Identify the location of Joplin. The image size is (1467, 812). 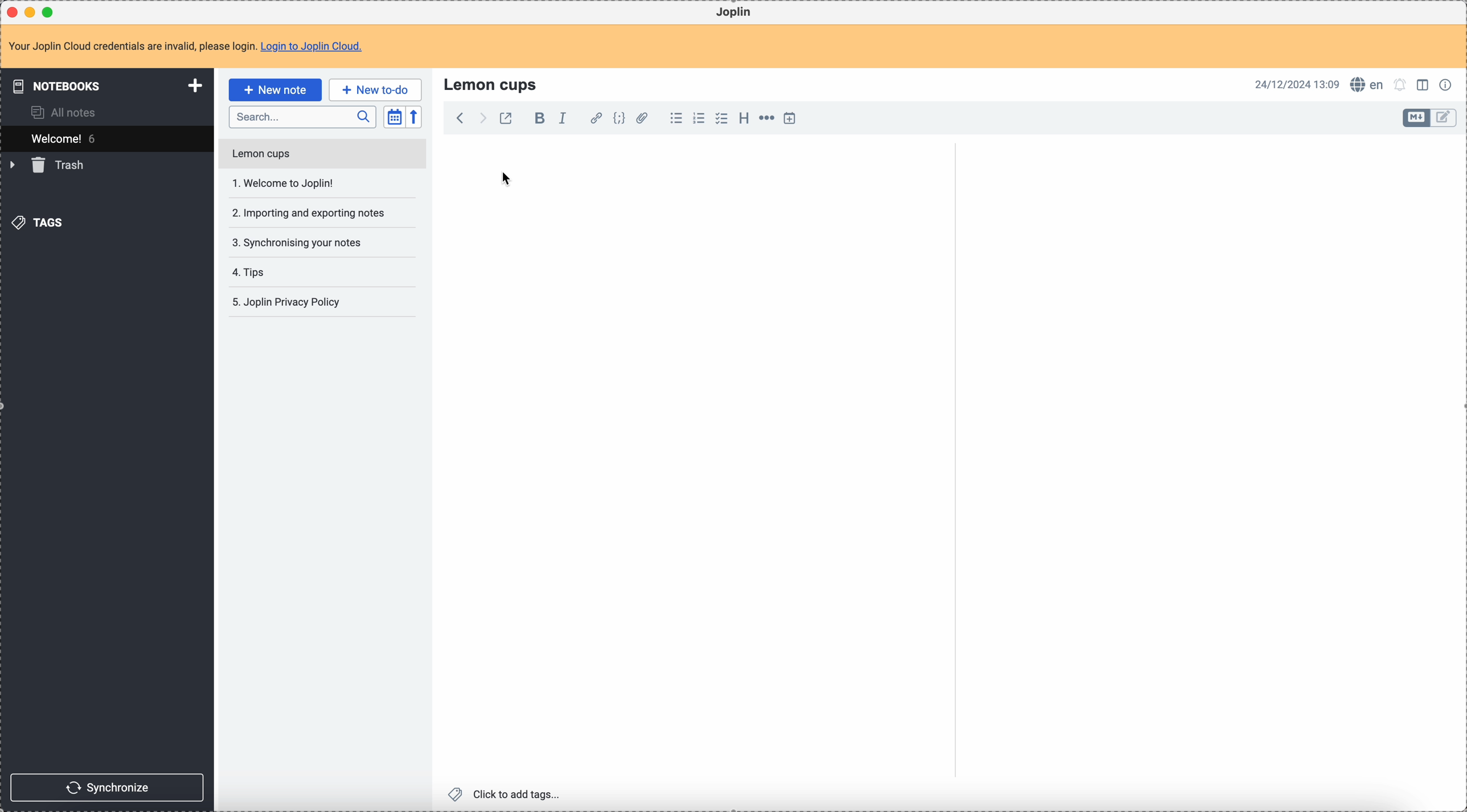
(733, 13).